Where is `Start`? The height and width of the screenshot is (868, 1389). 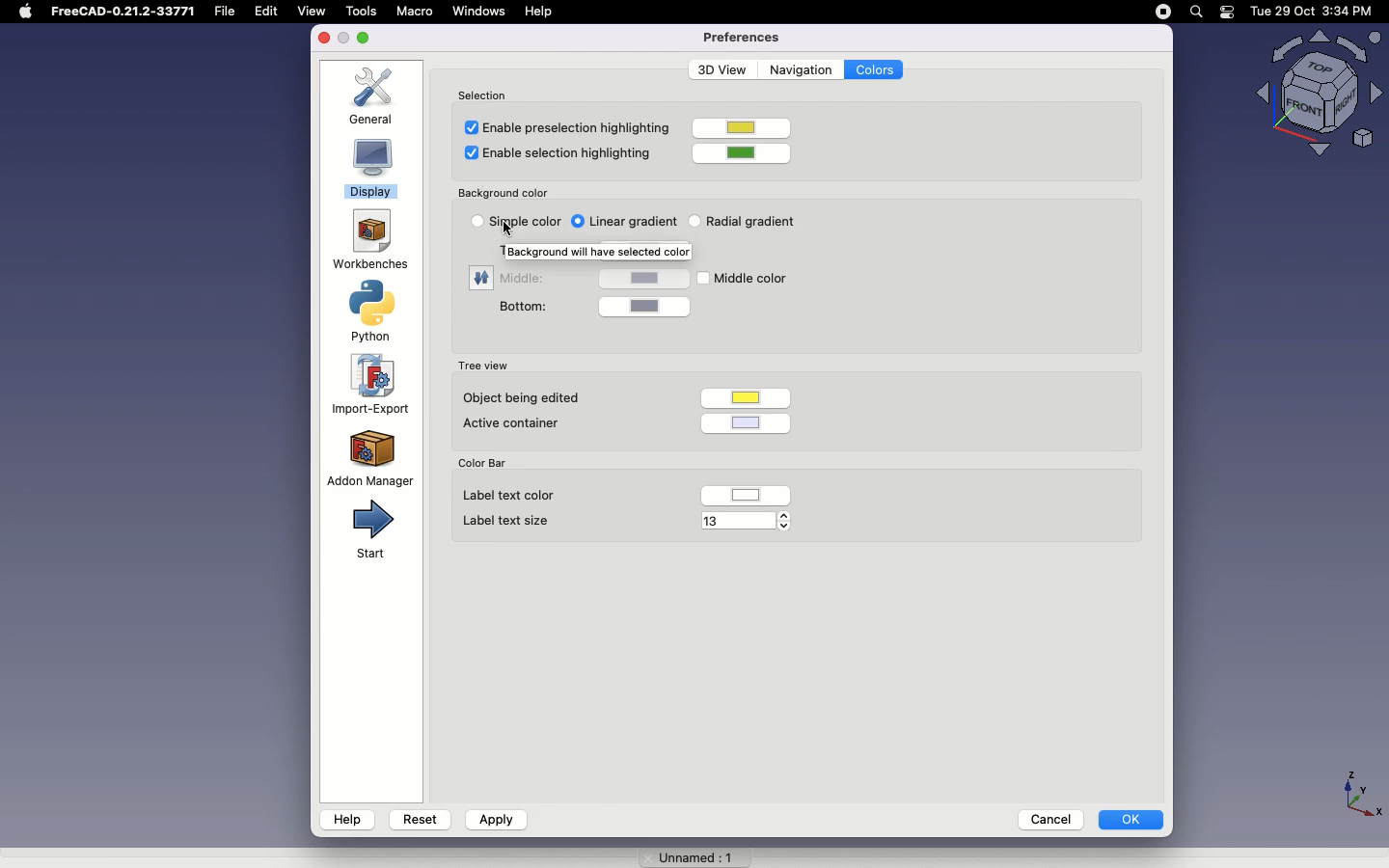 Start is located at coordinates (369, 530).